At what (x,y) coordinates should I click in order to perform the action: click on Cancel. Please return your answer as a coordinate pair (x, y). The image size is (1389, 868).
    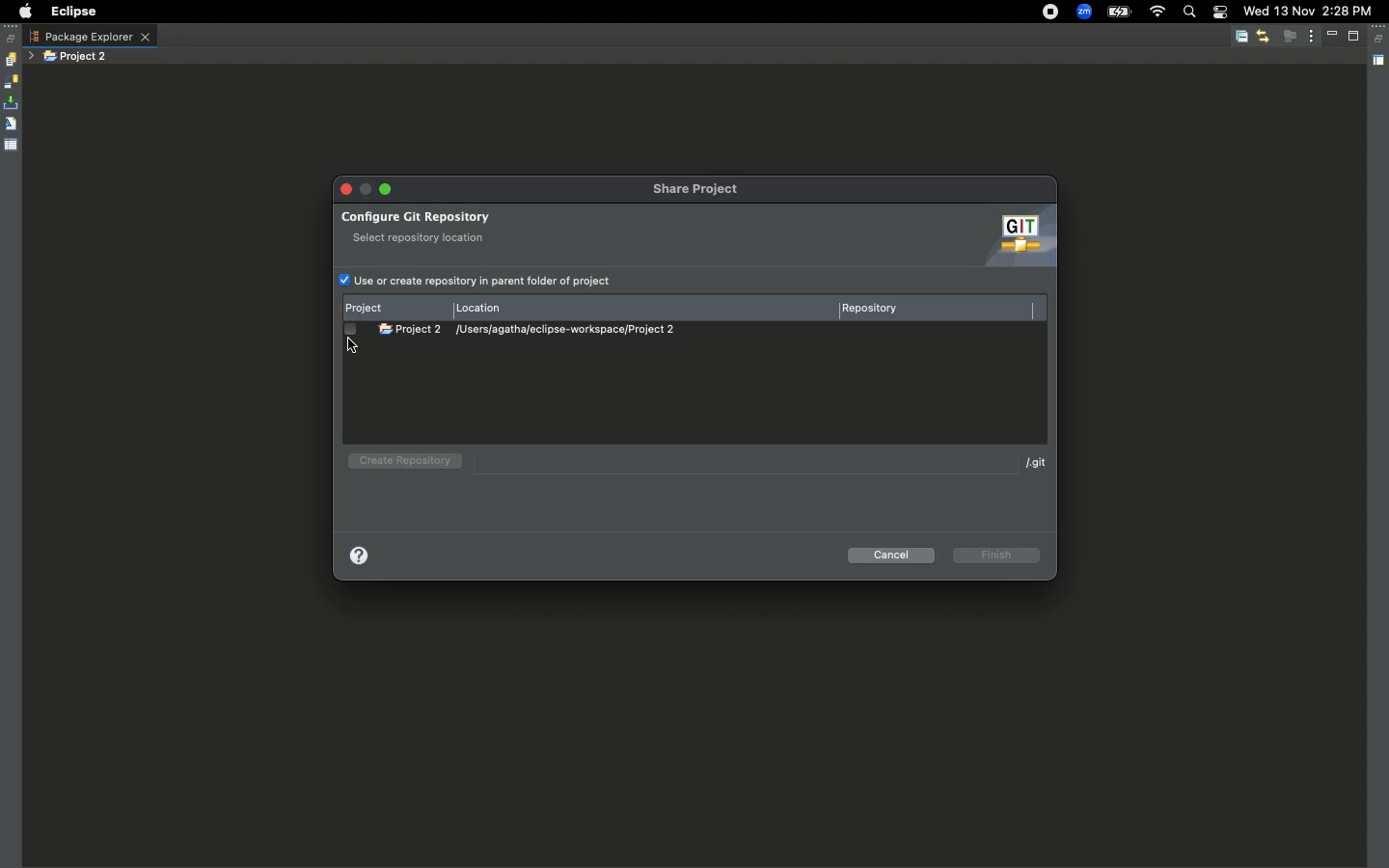
    Looking at the image, I should click on (893, 556).